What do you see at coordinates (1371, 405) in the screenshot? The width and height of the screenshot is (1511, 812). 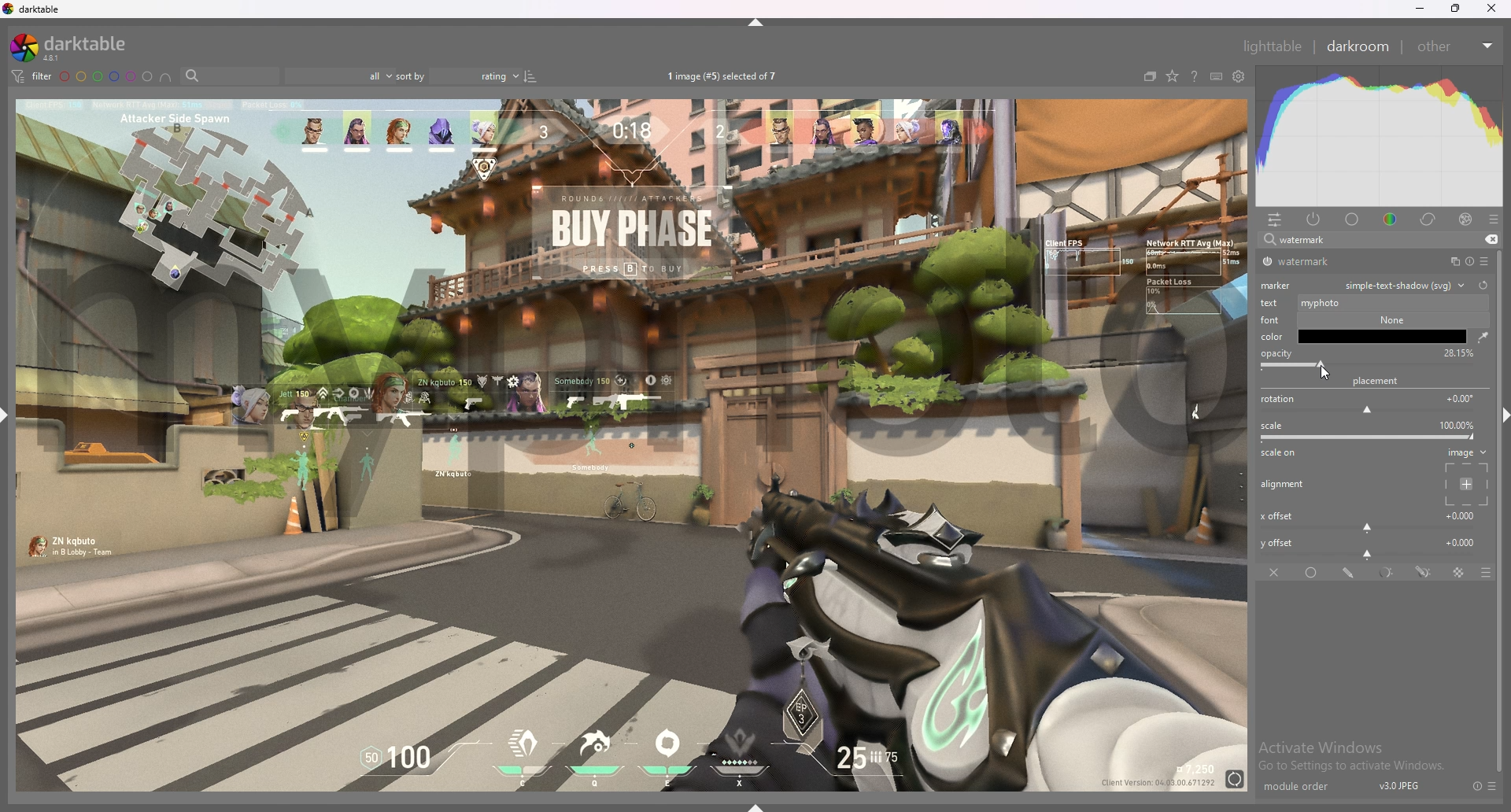 I see `rotation` at bounding box center [1371, 405].